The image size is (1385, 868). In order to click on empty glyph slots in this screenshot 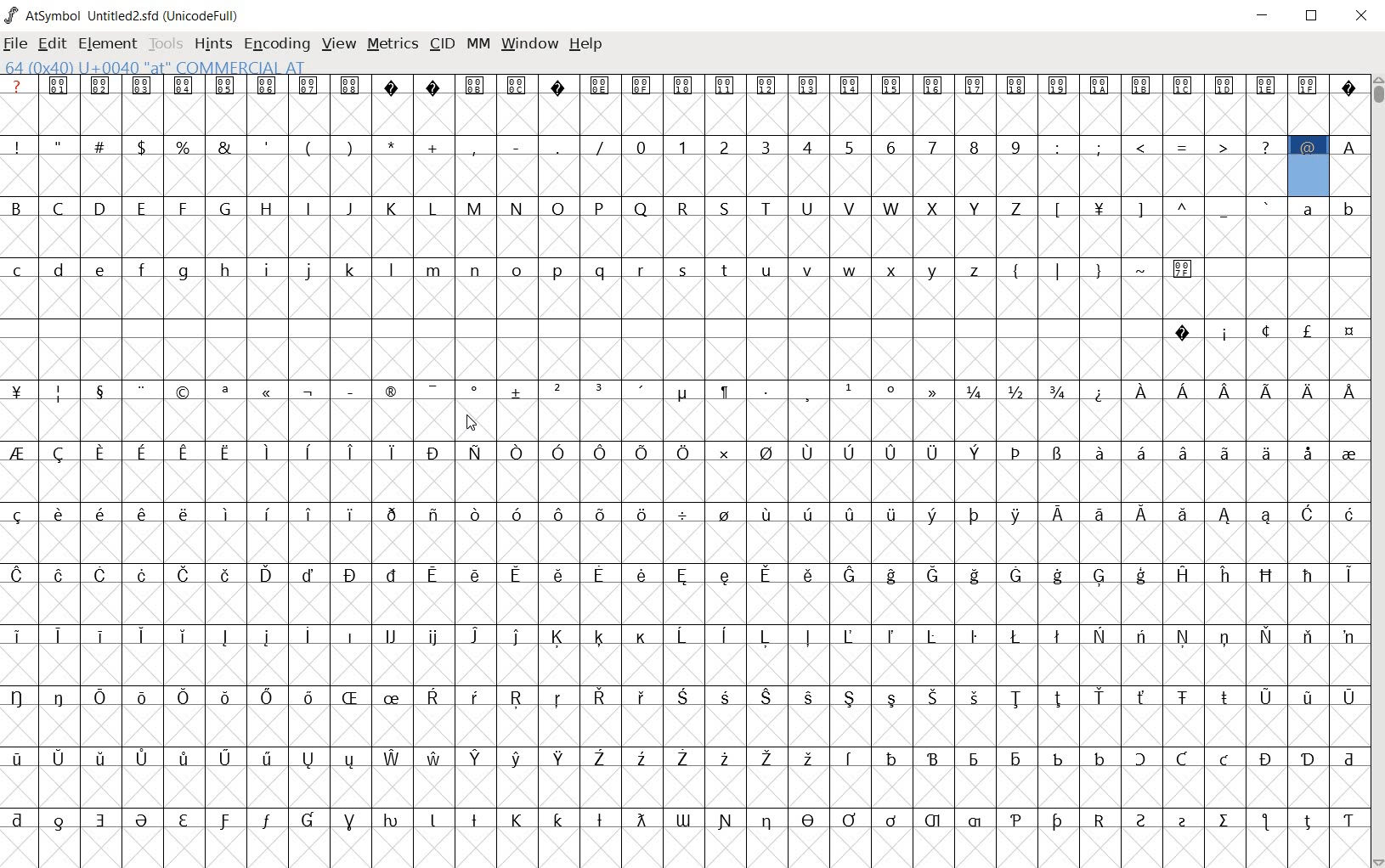, I will do `click(685, 238)`.